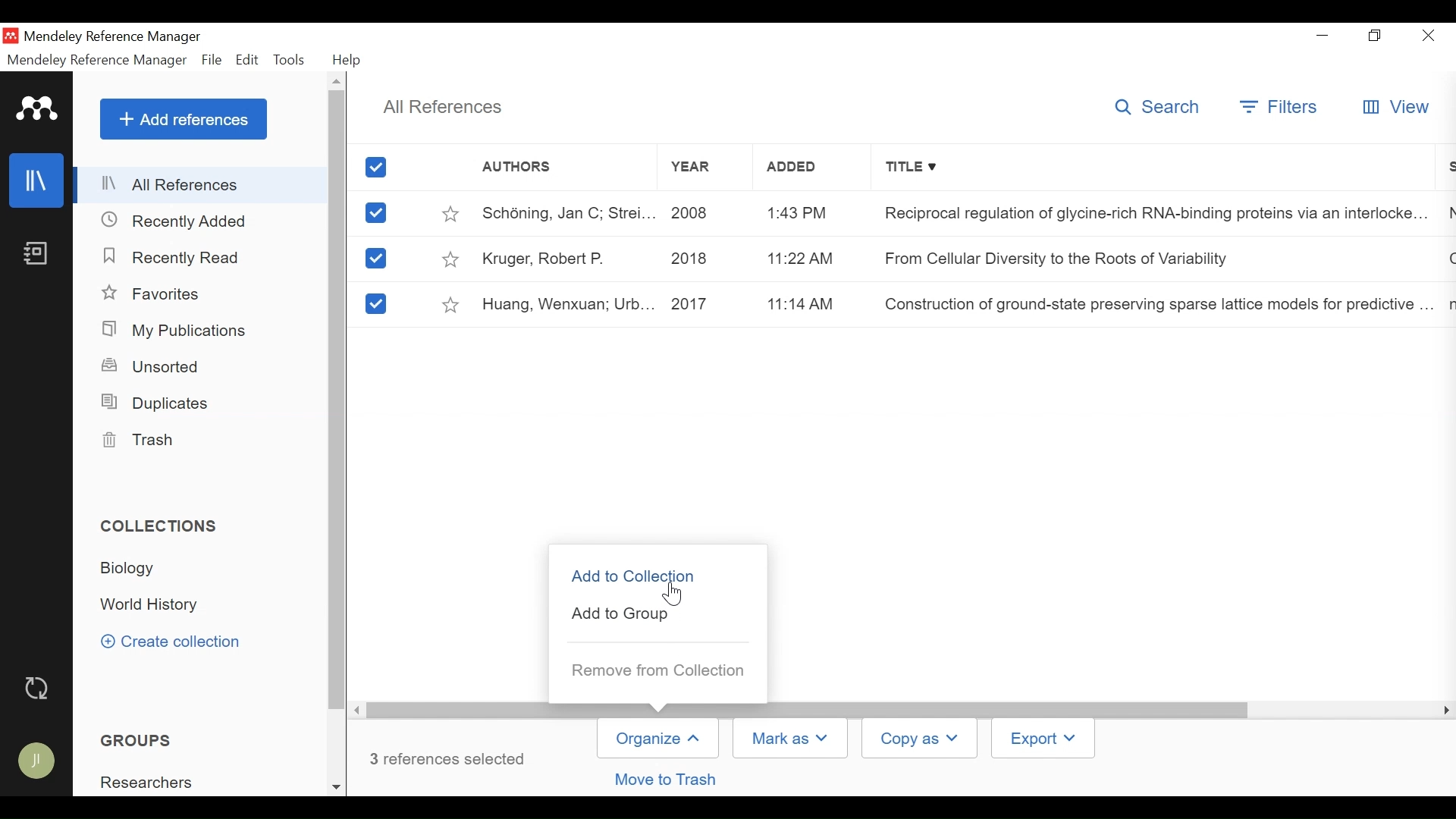 Image resolution: width=1456 pixels, height=819 pixels. Describe the element at coordinates (567, 303) in the screenshot. I see `Huang, Wenxuan; Urb...` at that location.